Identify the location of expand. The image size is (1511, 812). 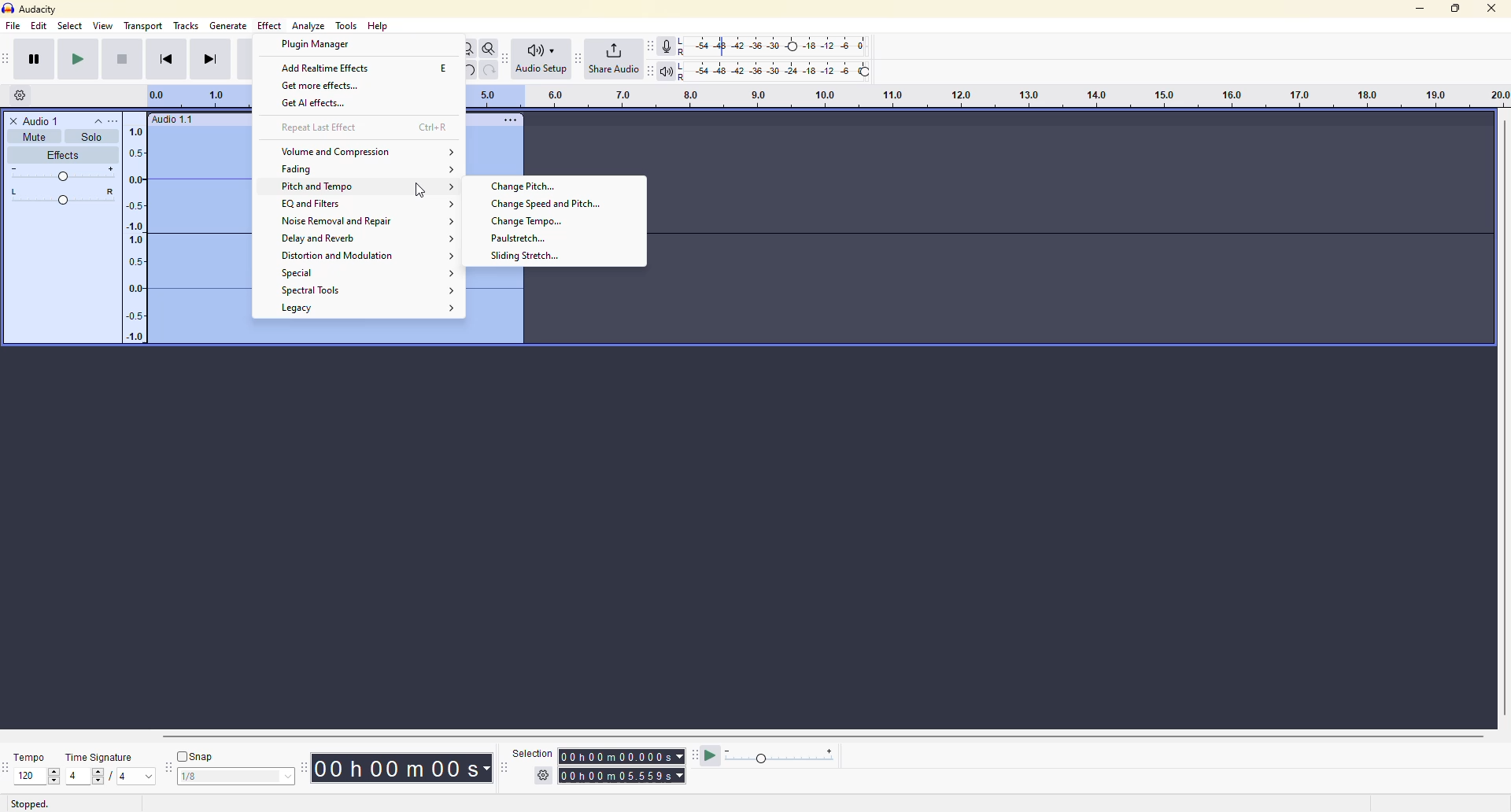
(452, 152).